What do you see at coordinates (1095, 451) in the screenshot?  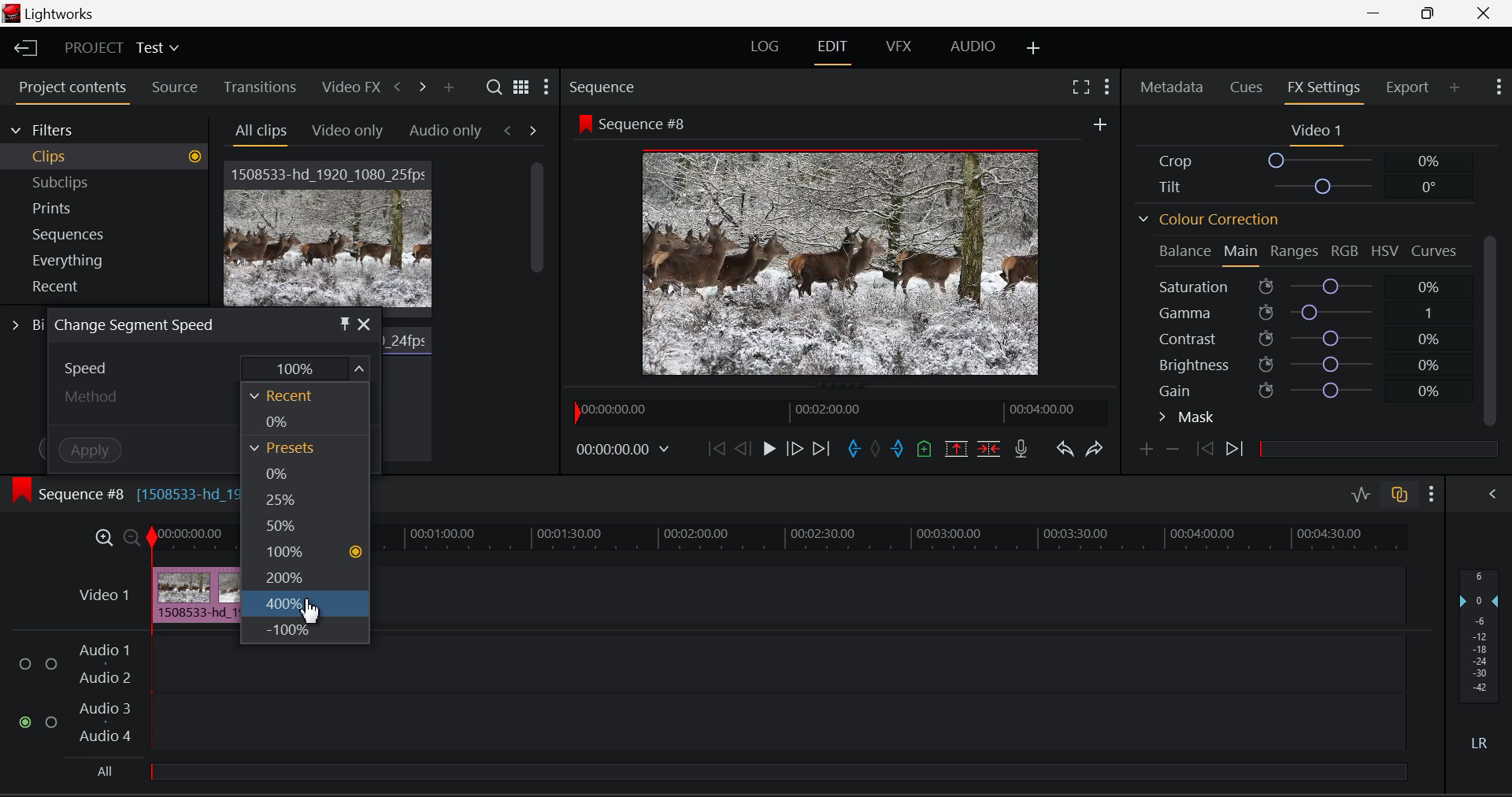 I see `Redo` at bounding box center [1095, 451].